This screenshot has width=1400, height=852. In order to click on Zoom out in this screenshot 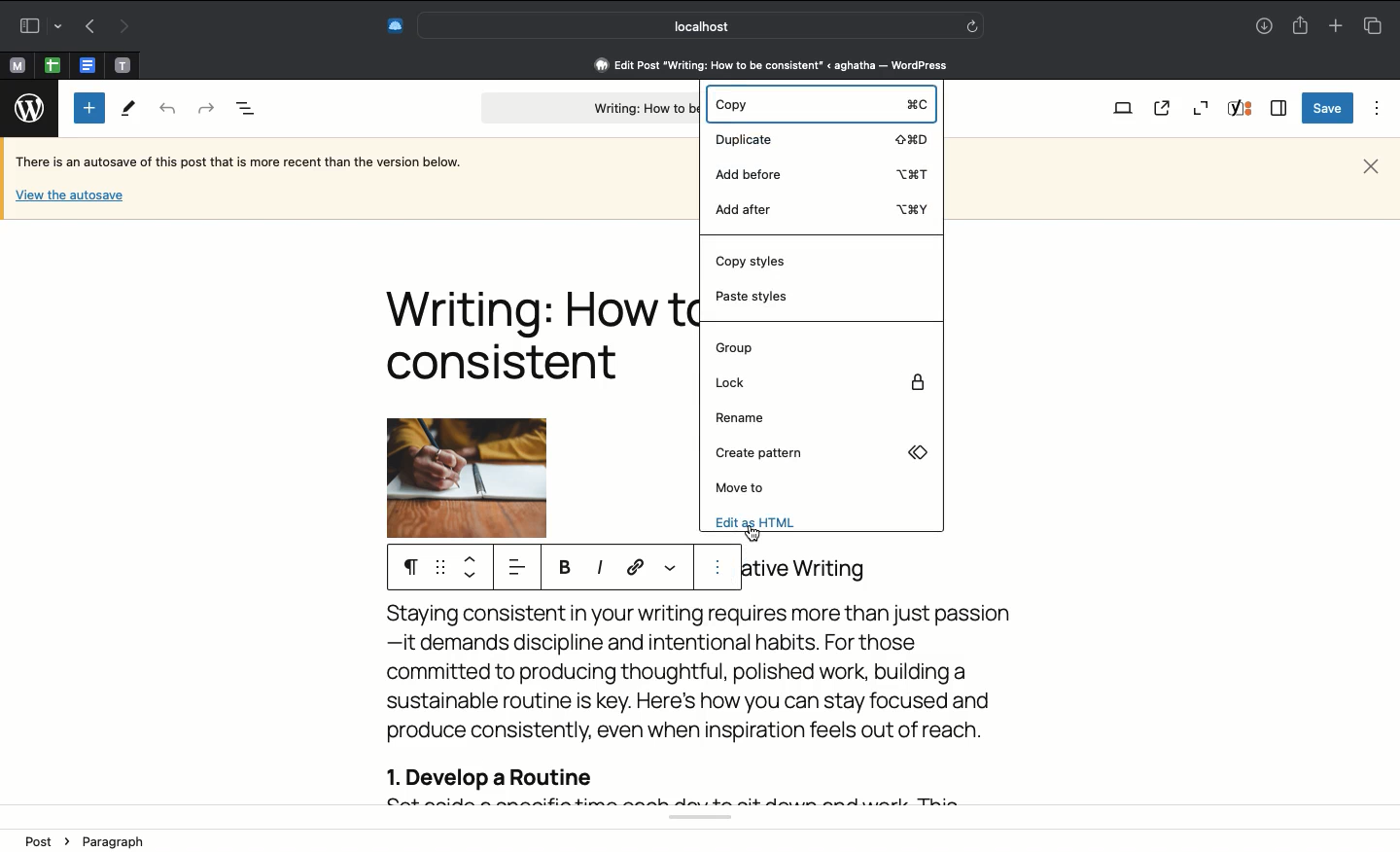, I will do `click(1201, 108)`.